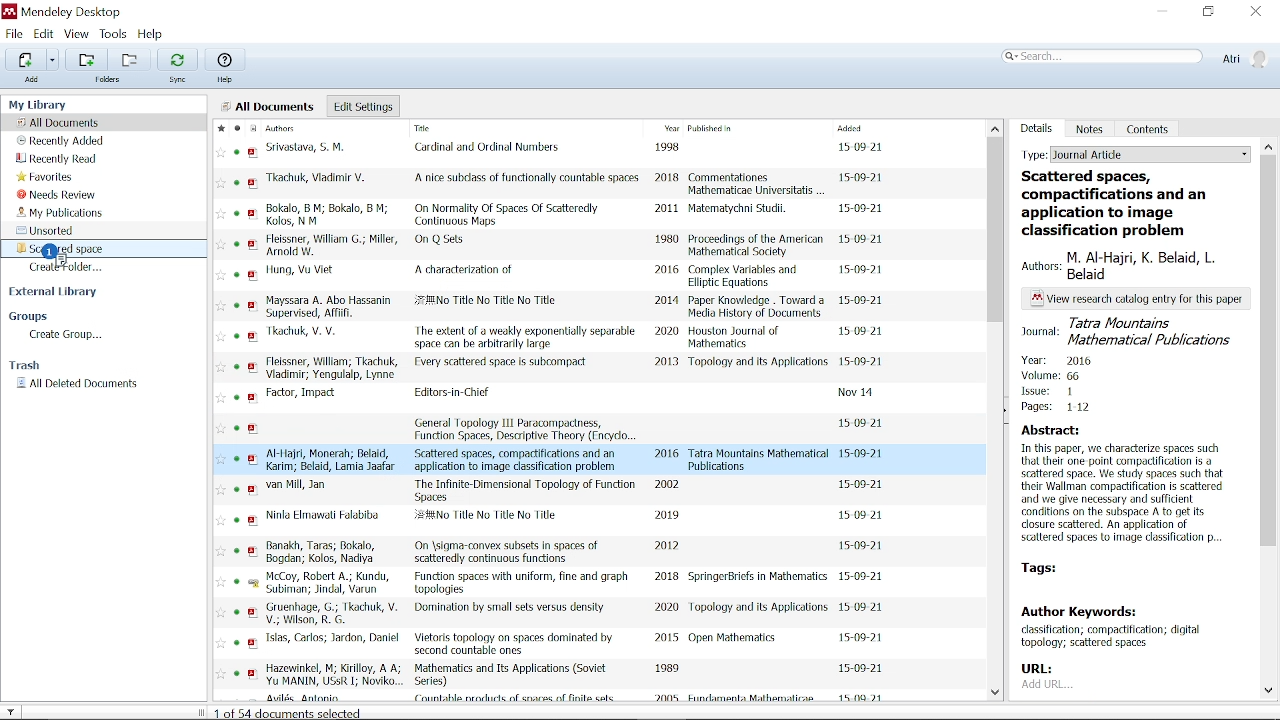 The image size is (1280, 720). Describe the element at coordinates (324, 515) in the screenshot. I see `authors` at that location.